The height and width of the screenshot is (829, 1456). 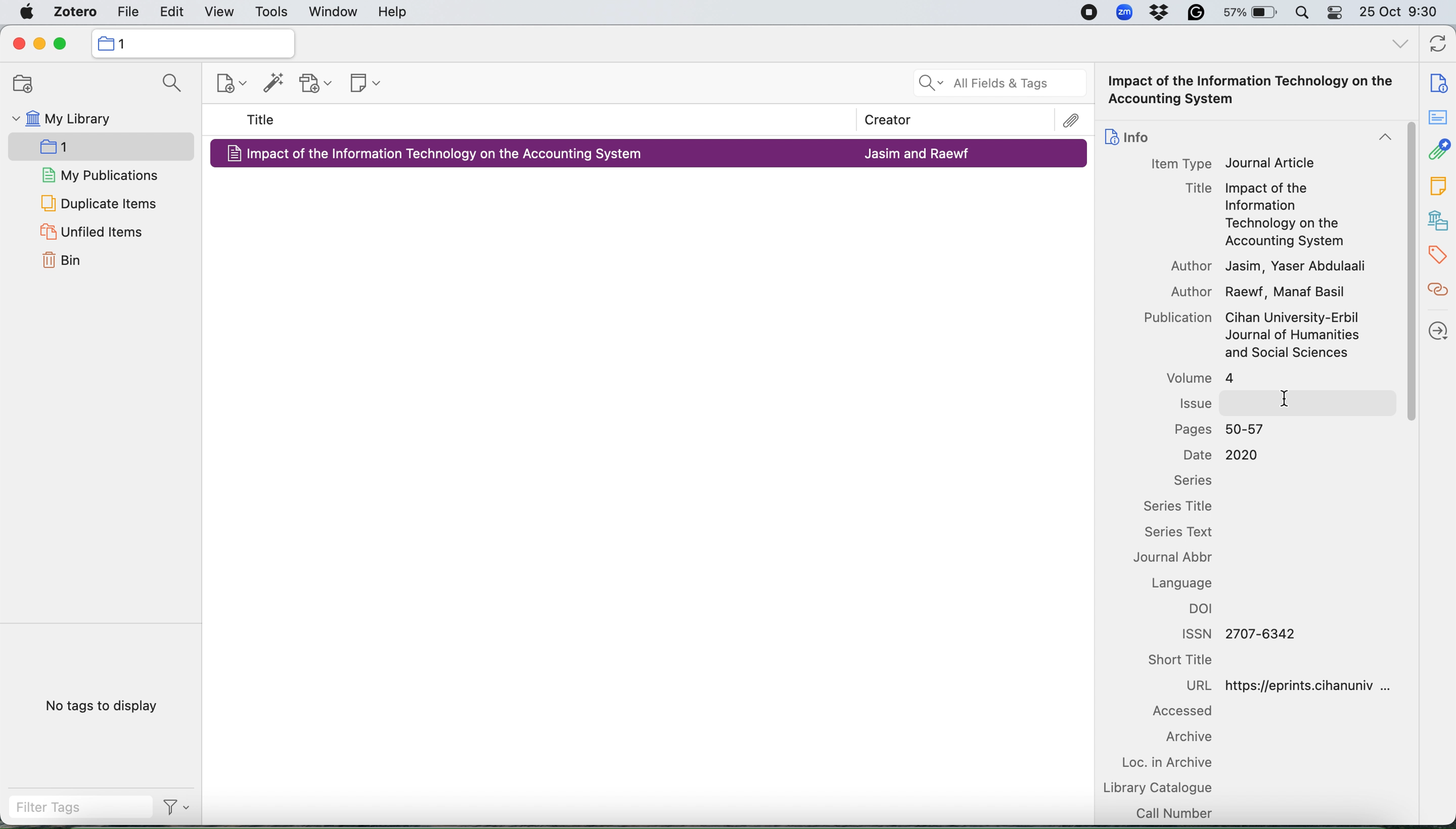 What do you see at coordinates (1197, 378) in the screenshot?
I see `volume` at bounding box center [1197, 378].